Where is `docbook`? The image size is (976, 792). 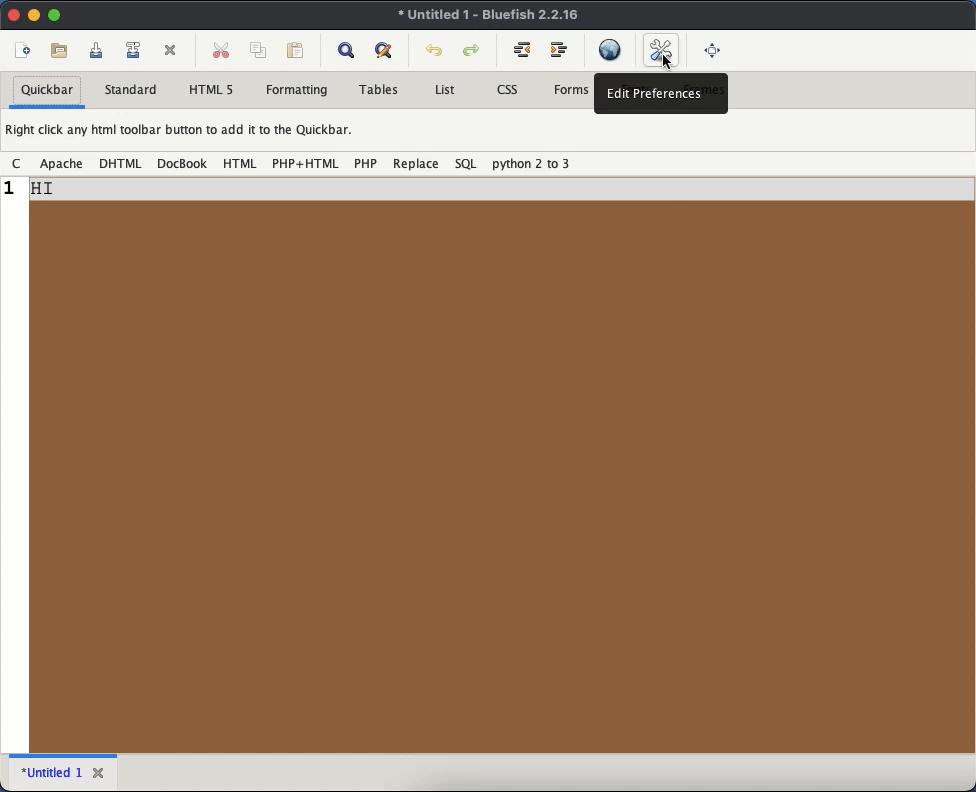
docbook is located at coordinates (182, 163).